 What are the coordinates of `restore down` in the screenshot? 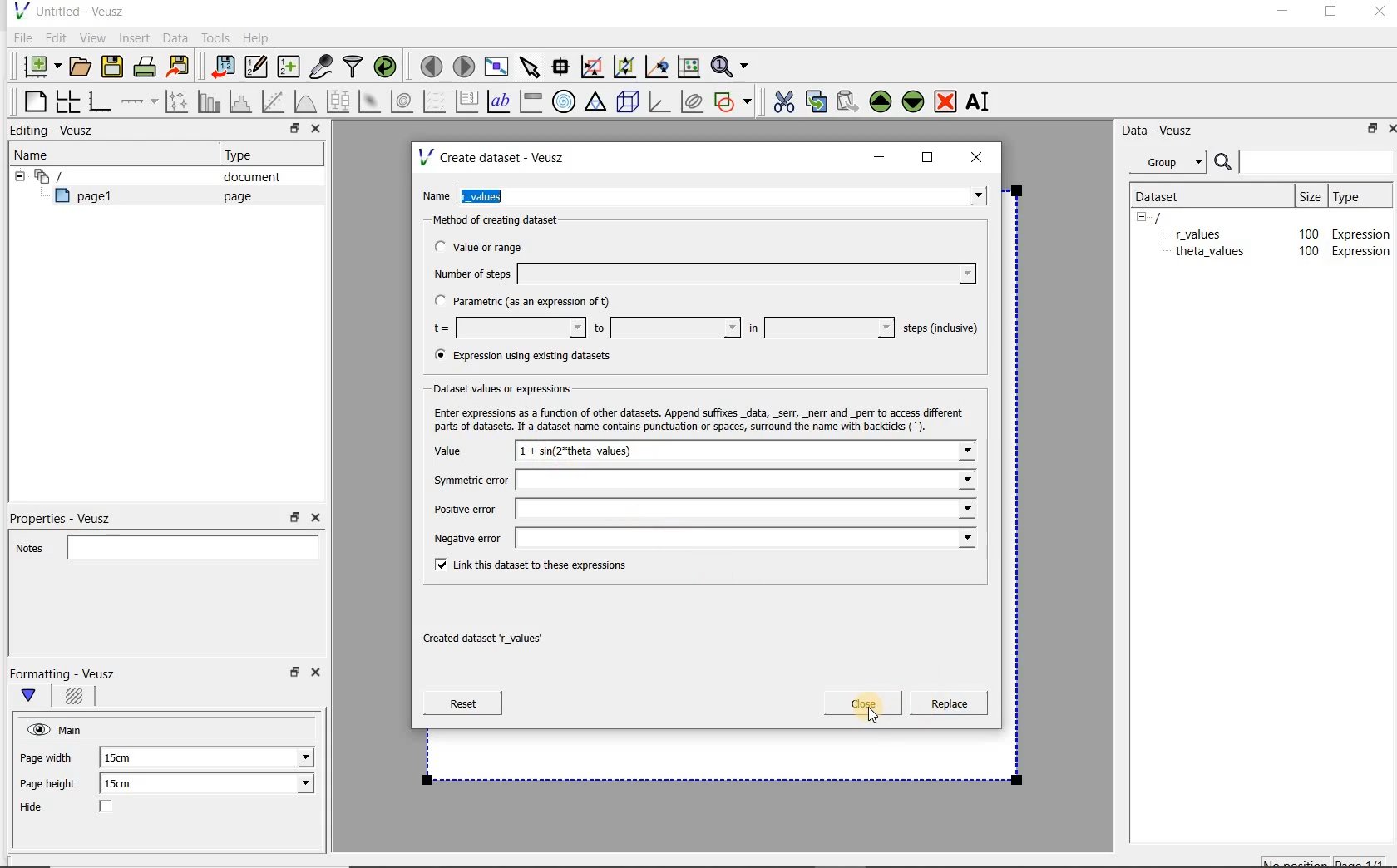 It's located at (290, 131).